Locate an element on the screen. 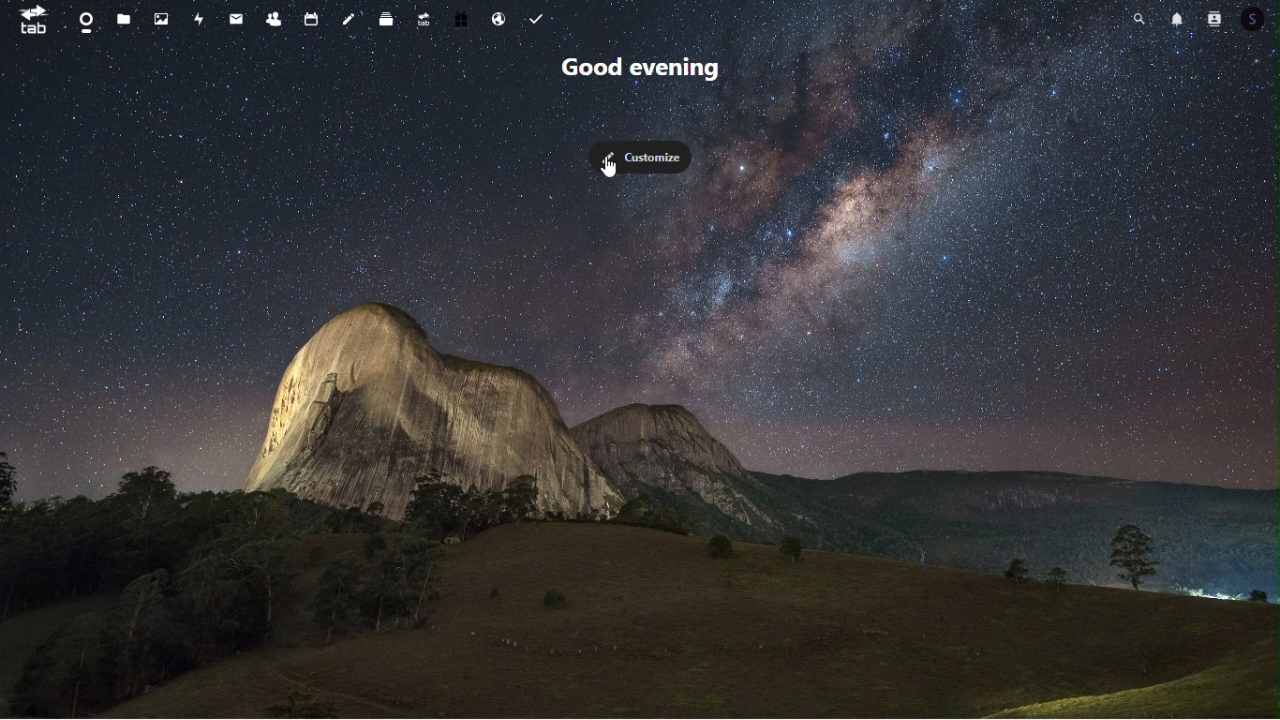 This screenshot has width=1280, height=720. Contacts is located at coordinates (1216, 18).